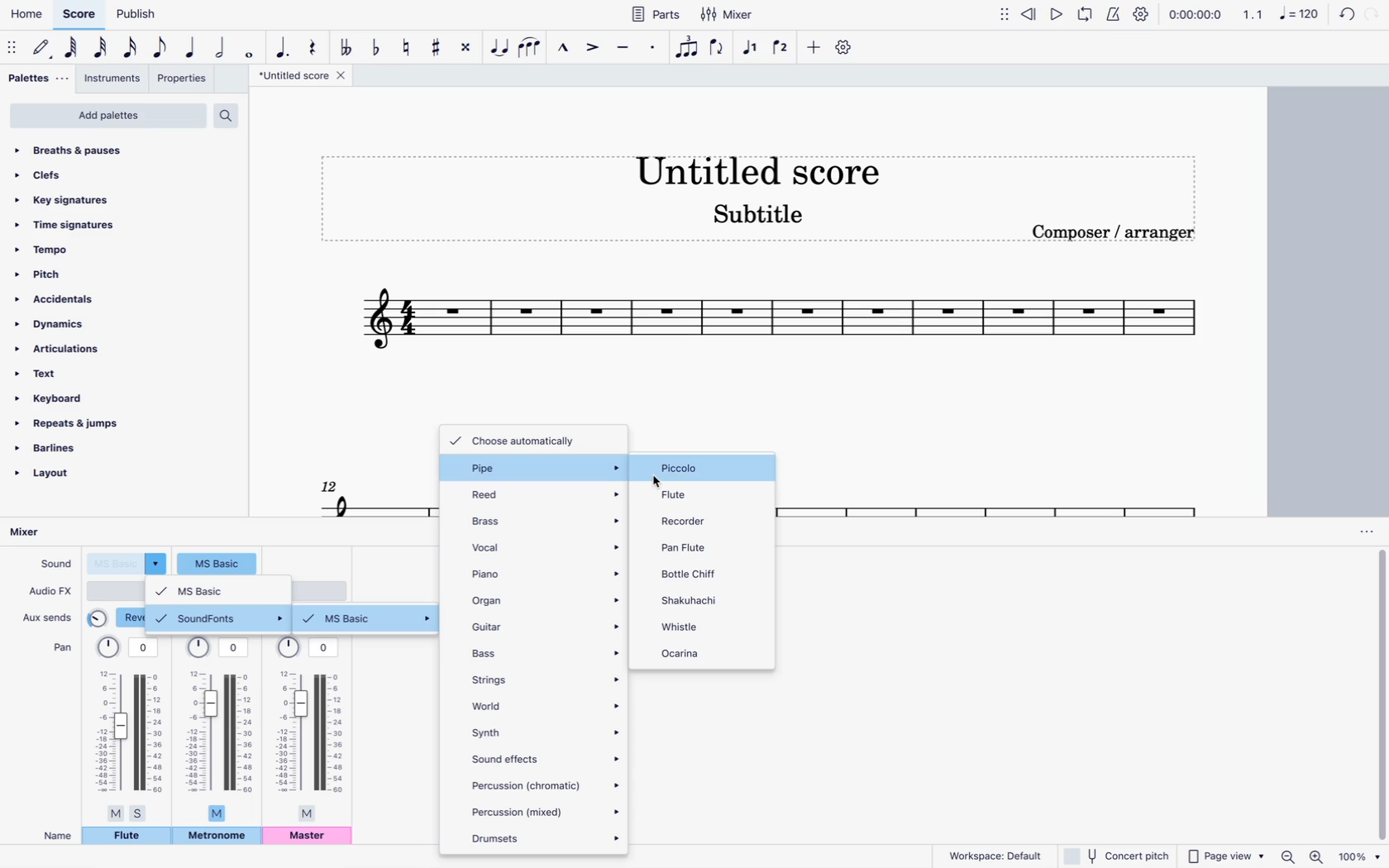 The height and width of the screenshot is (868, 1389). I want to click on tempo, so click(77, 249).